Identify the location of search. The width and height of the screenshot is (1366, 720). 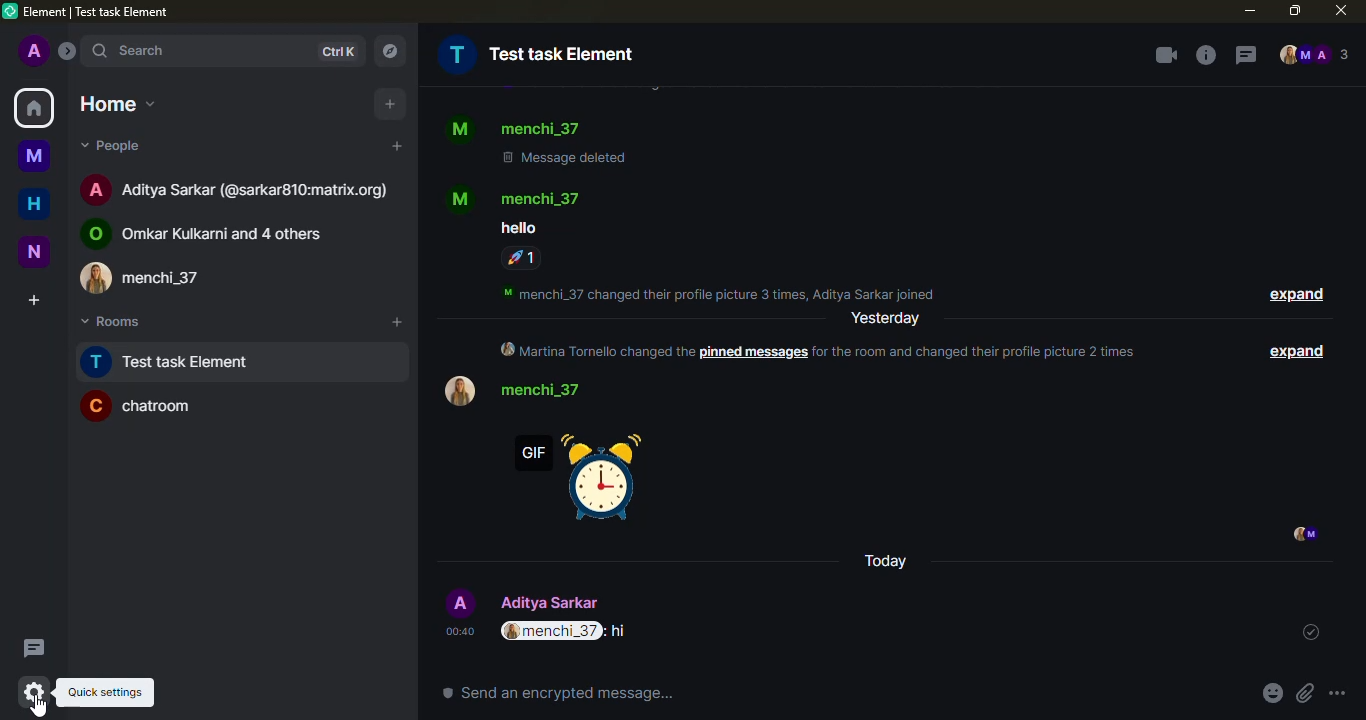
(130, 51).